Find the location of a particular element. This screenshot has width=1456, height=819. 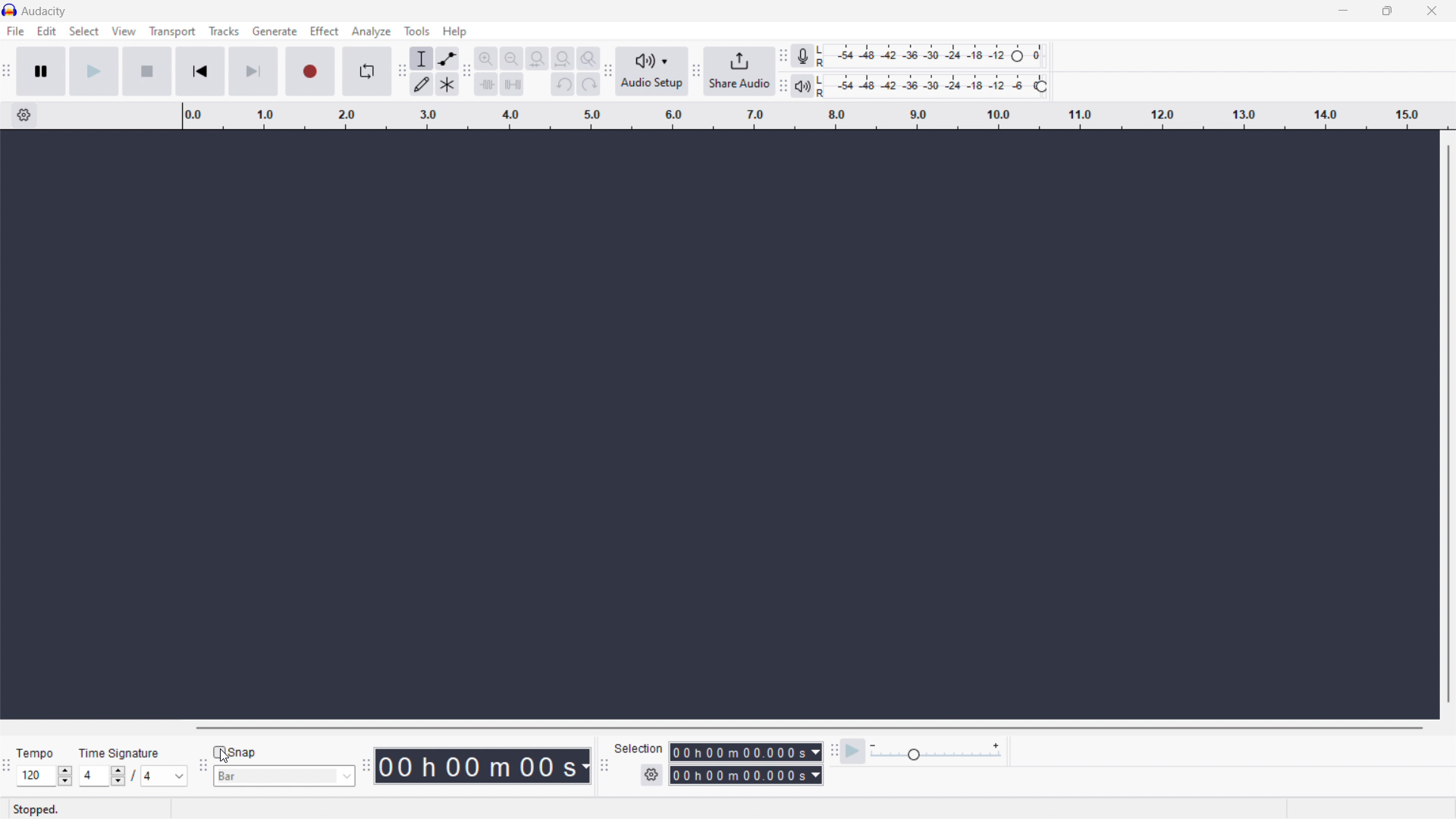

playback meter is located at coordinates (934, 86).